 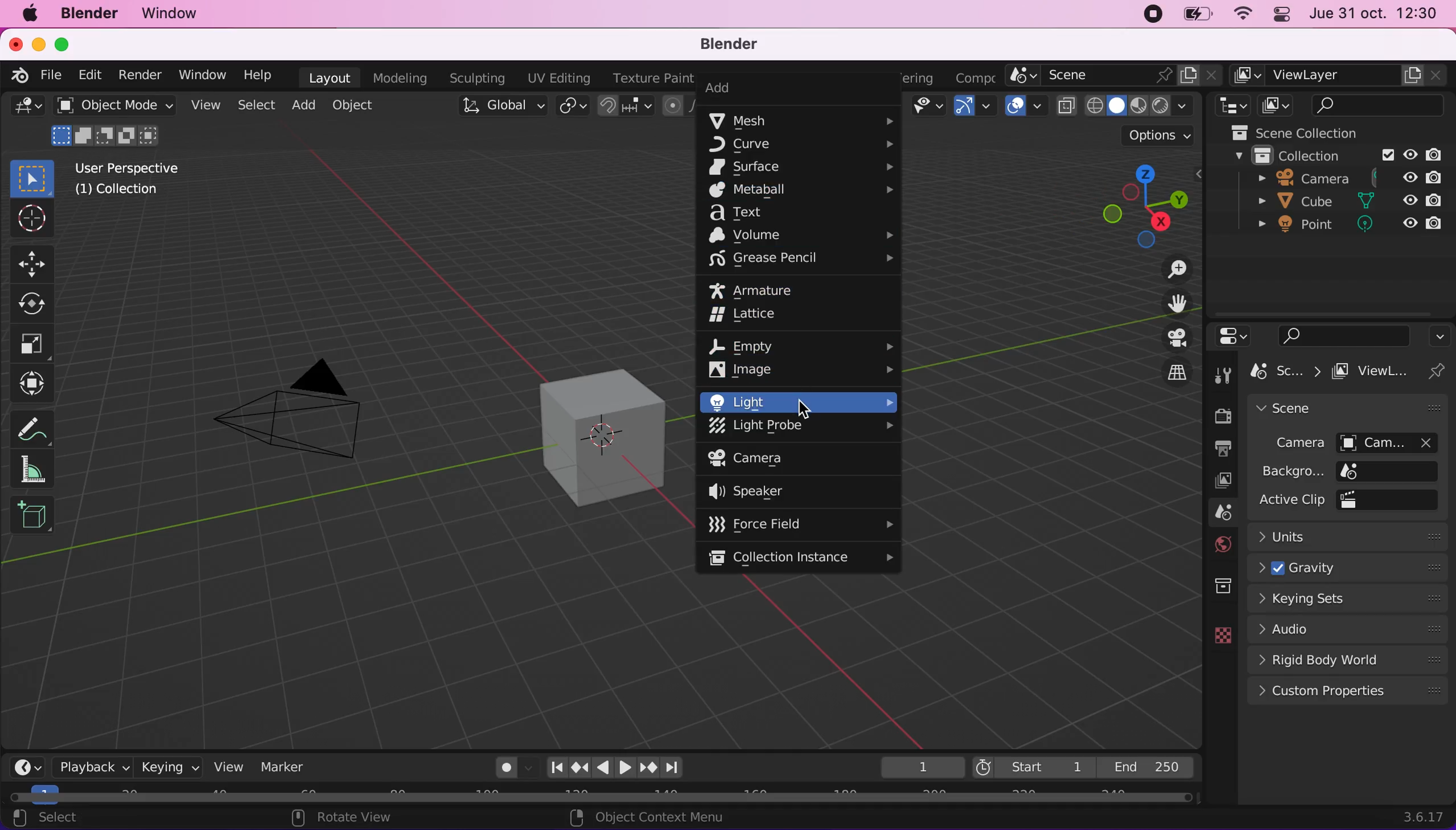 What do you see at coordinates (1344, 661) in the screenshot?
I see `rigid body world` at bounding box center [1344, 661].